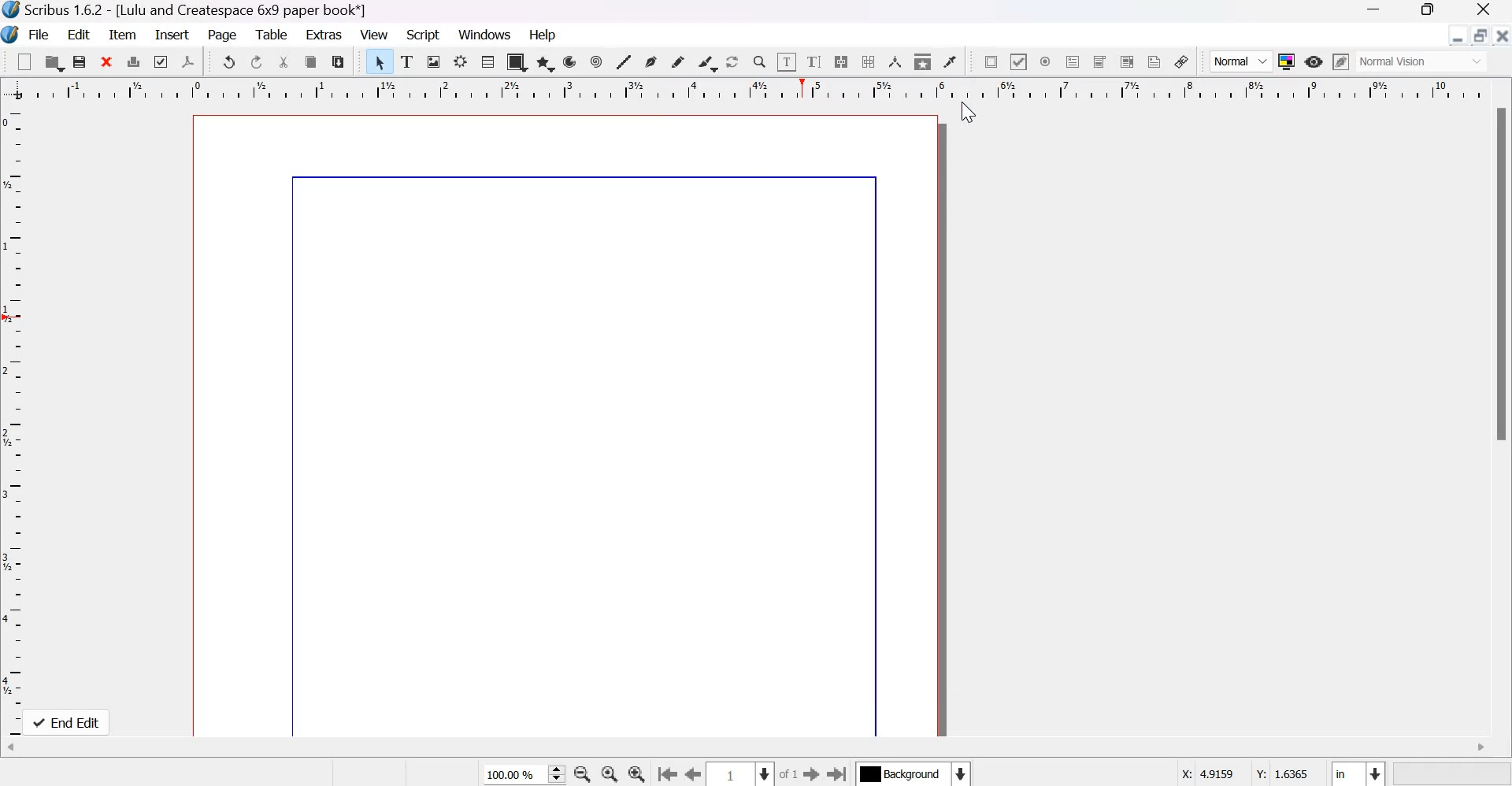  What do you see at coordinates (916, 773) in the screenshot?
I see `Select the current layer` at bounding box center [916, 773].